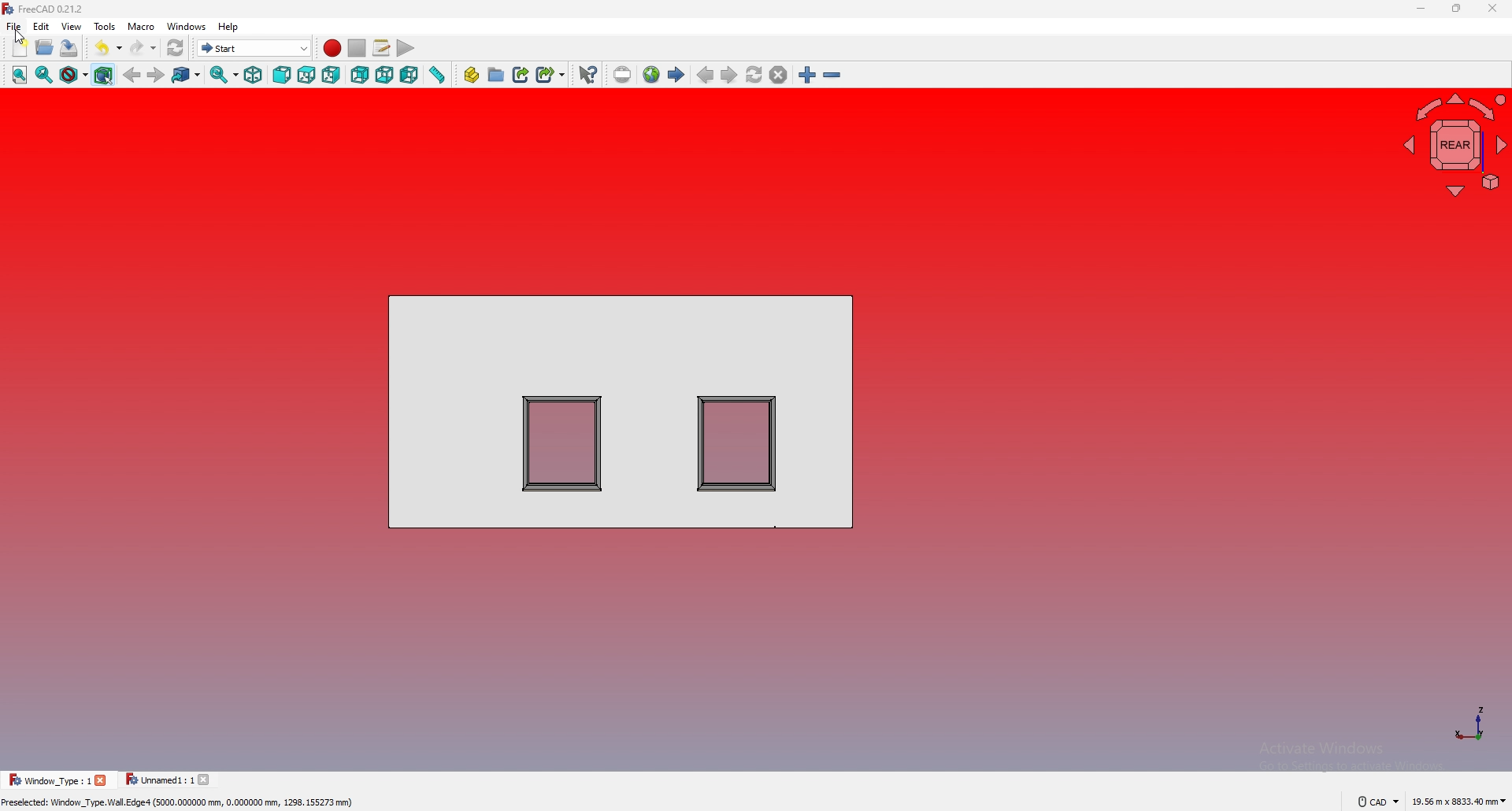 The image size is (1512, 811). I want to click on tools, so click(104, 25).